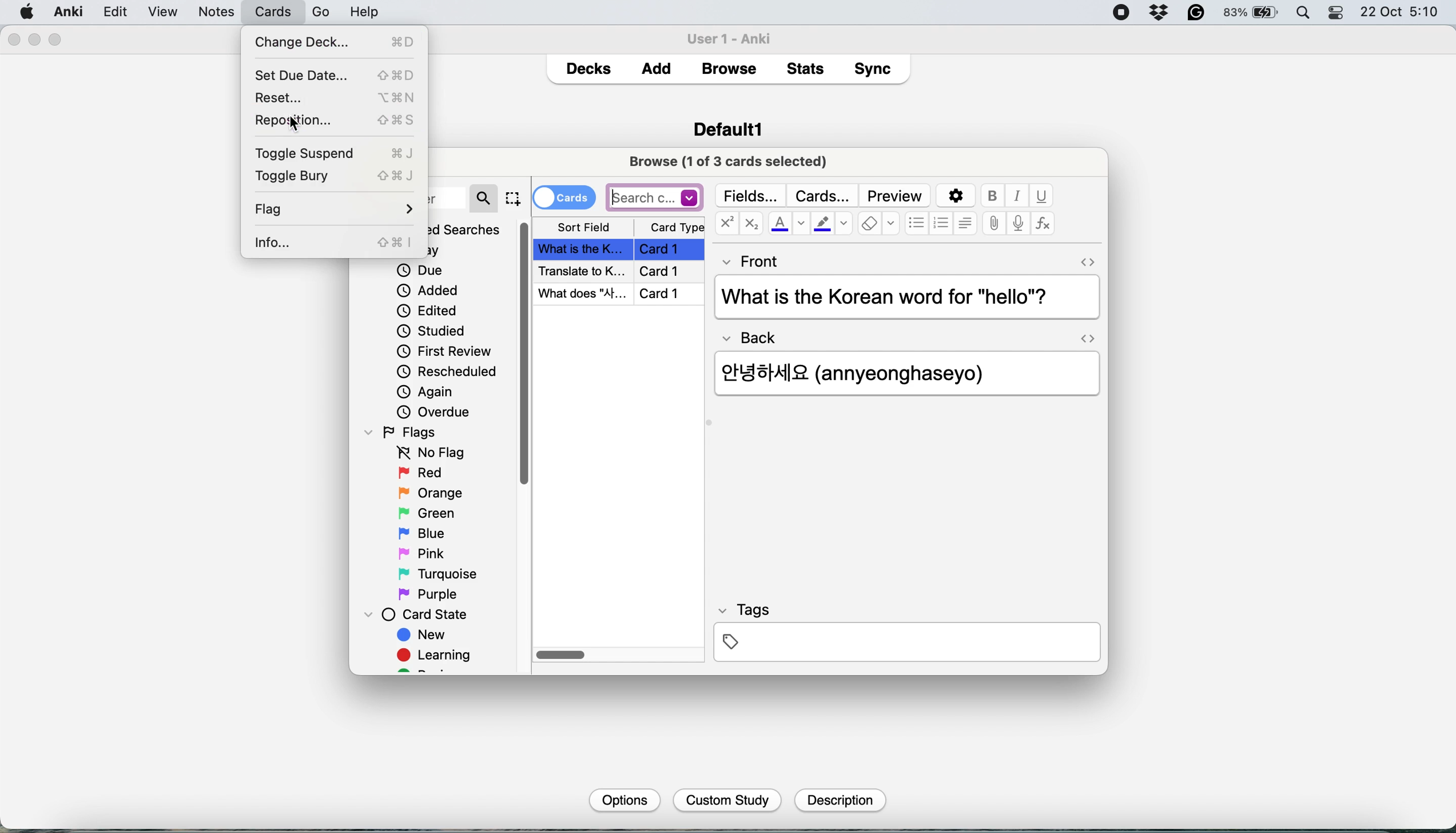 Image resolution: width=1456 pixels, height=833 pixels. I want to click on battery, so click(1252, 13).